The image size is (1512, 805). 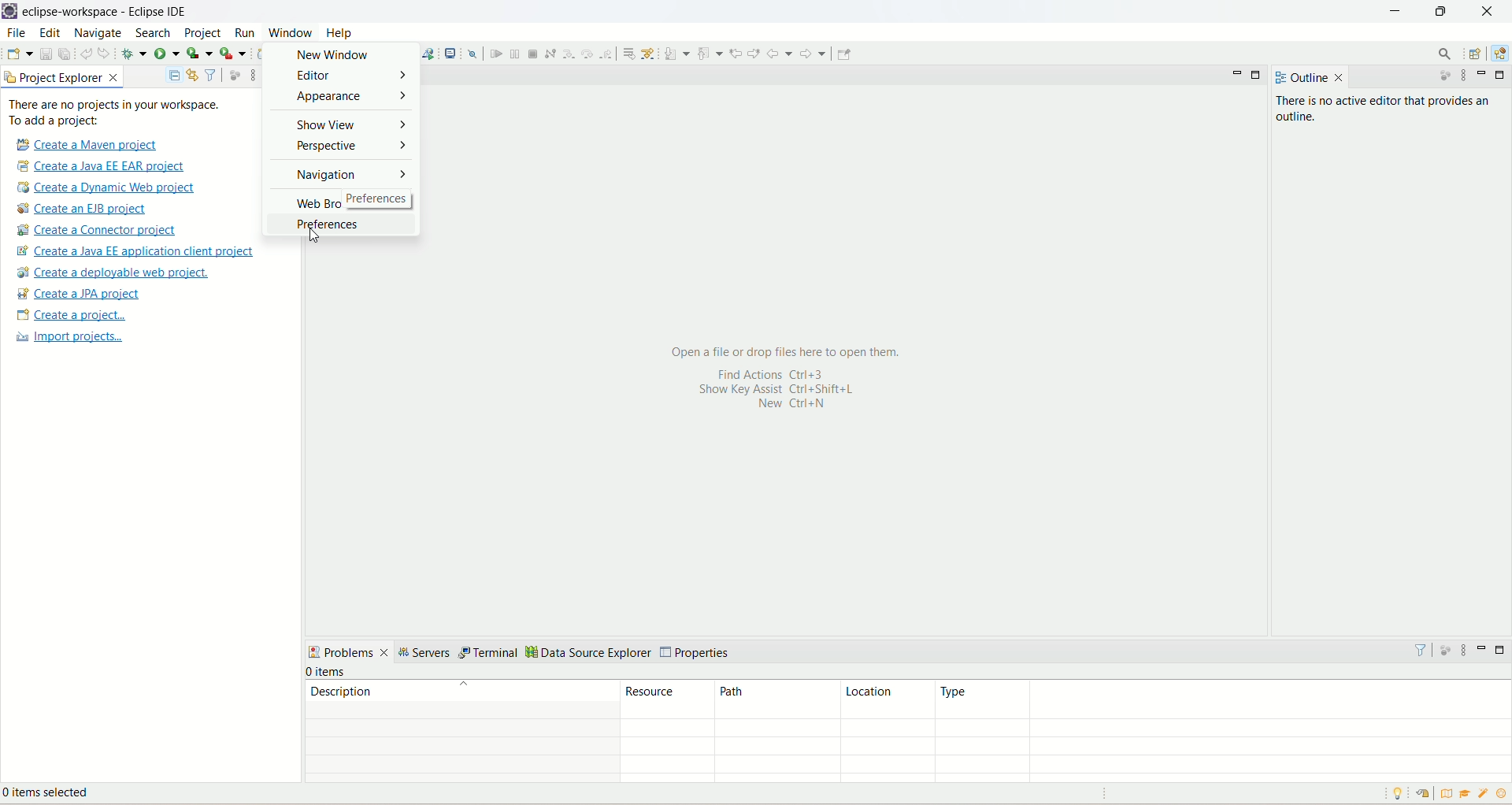 What do you see at coordinates (815, 54) in the screenshot?
I see `forward` at bounding box center [815, 54].